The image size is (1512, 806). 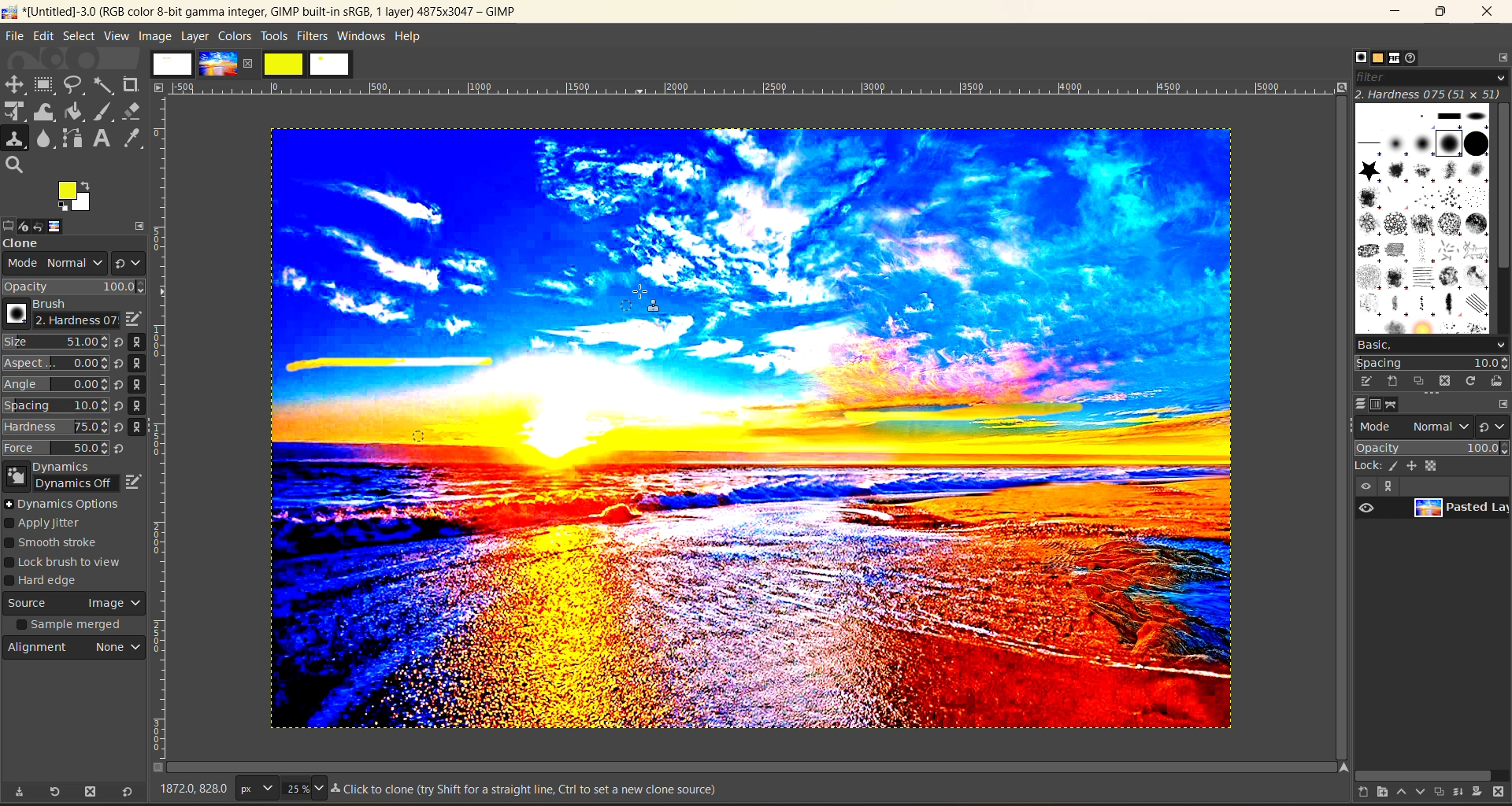 I want to click on path tool, so click(x=72, y=138).